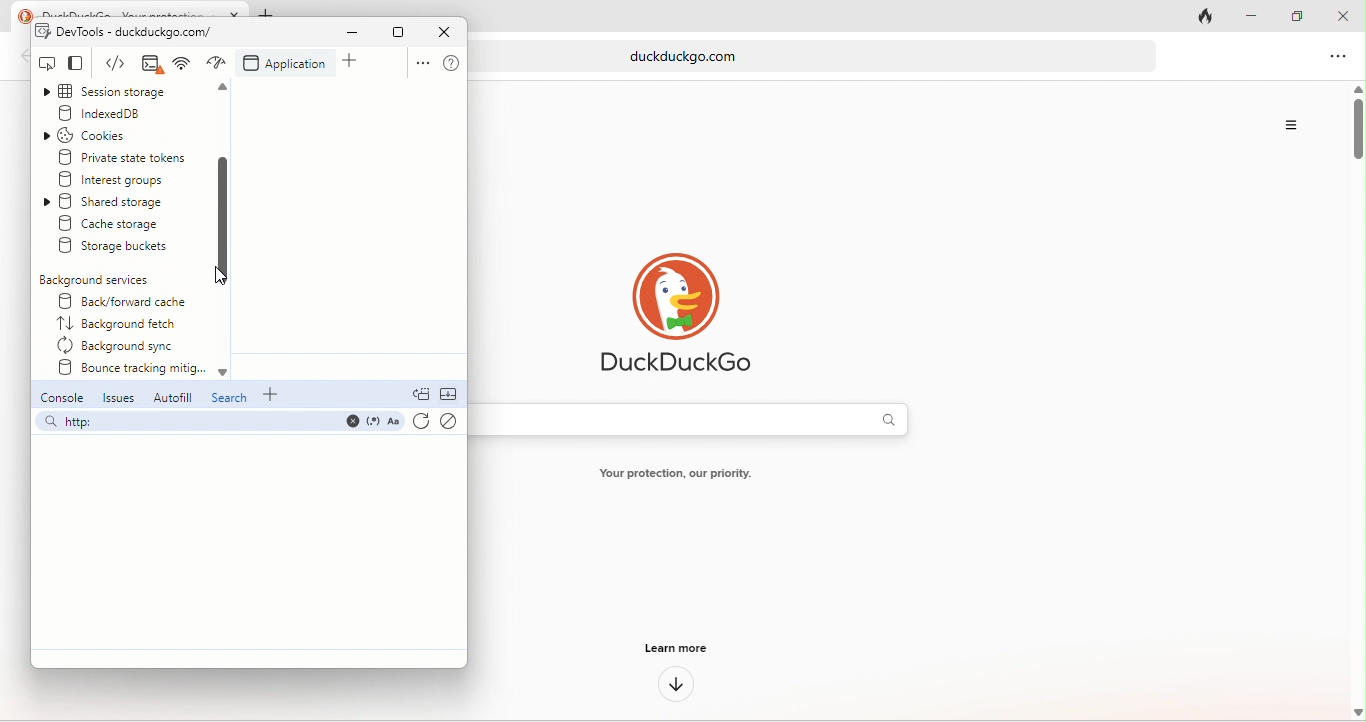 The height and width of the screenshot is (722, 1366). Describe the element at coordinates (686, 475) in the screenshot. I see `text` at that location.